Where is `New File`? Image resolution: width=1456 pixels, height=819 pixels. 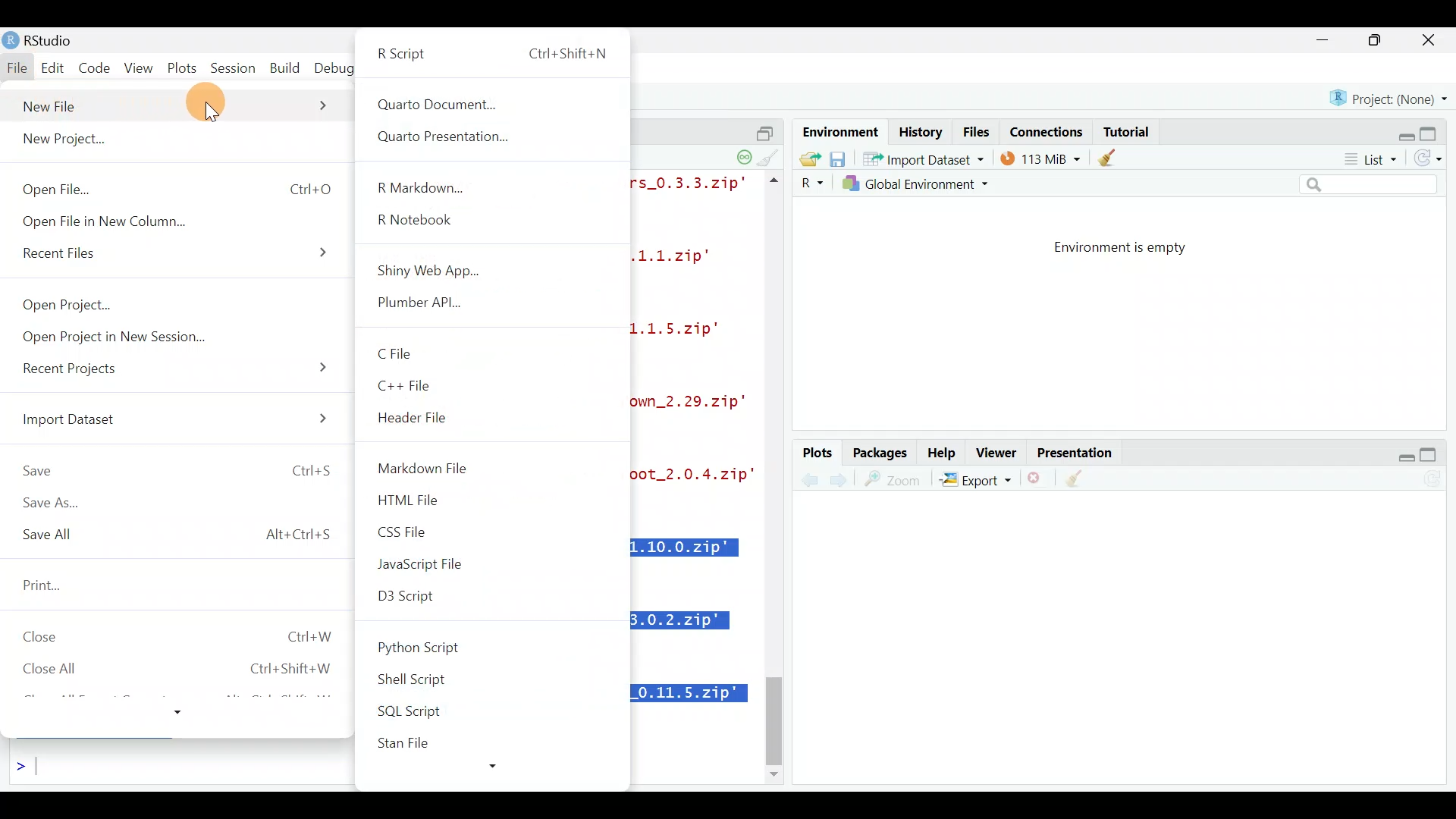
New File is located at coordinates (177, 105).